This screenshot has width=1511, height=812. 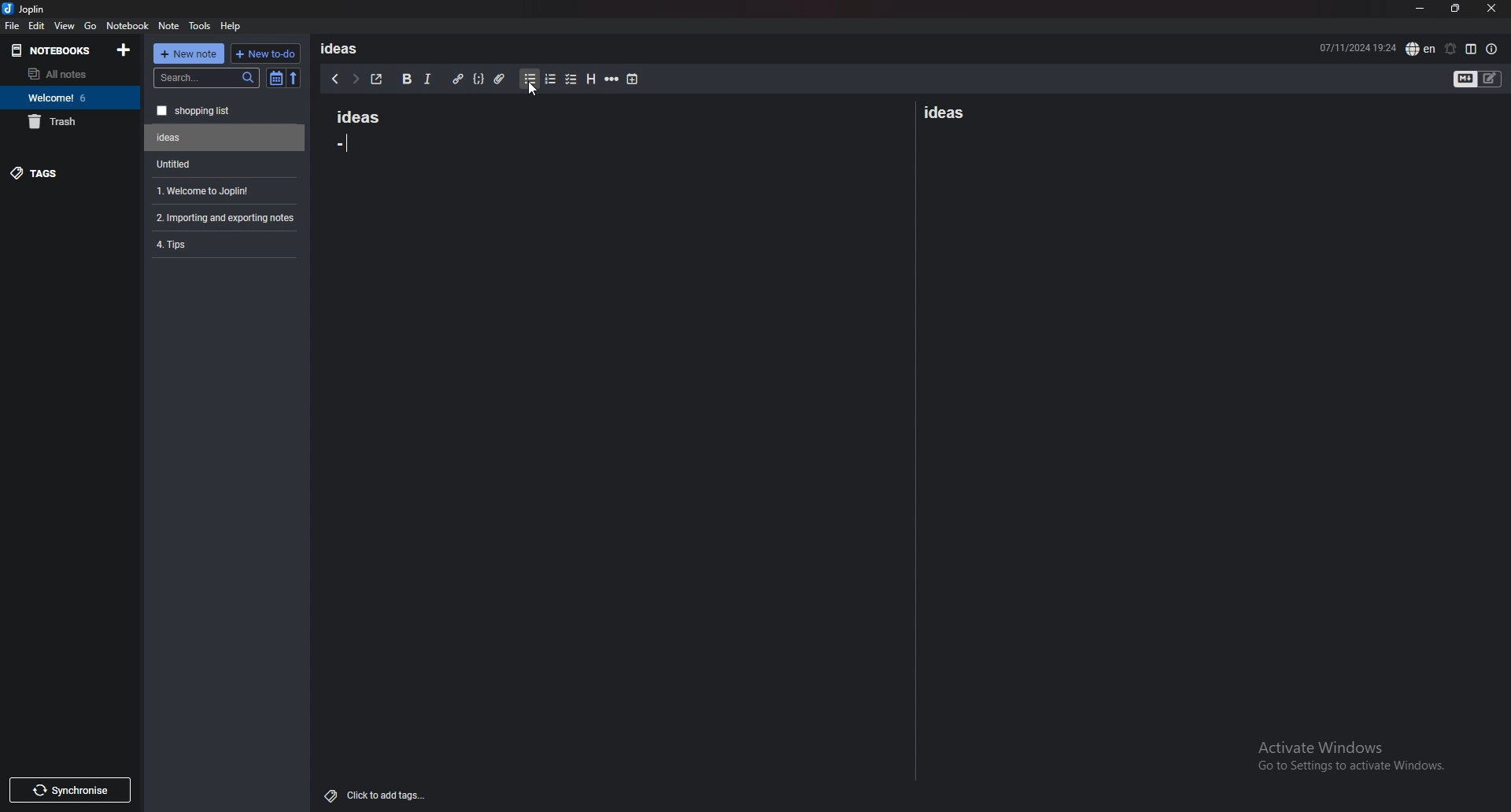 What do you see at coordinates (264, 54) in the screenshot?
I see `new todo` at bounding box center [264, 54].